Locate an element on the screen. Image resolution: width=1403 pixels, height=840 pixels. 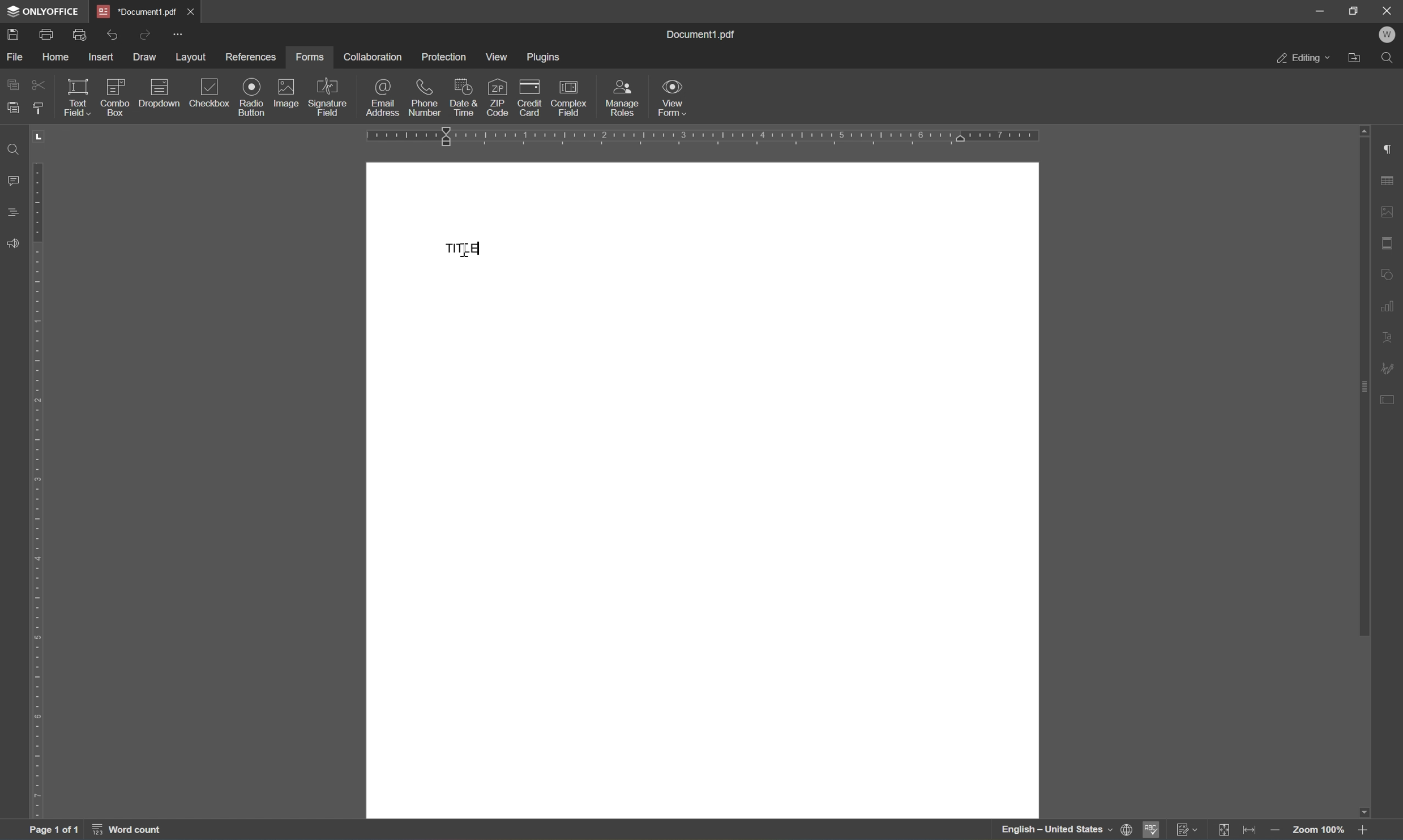
dropdown is located at coordinates (162, 92).